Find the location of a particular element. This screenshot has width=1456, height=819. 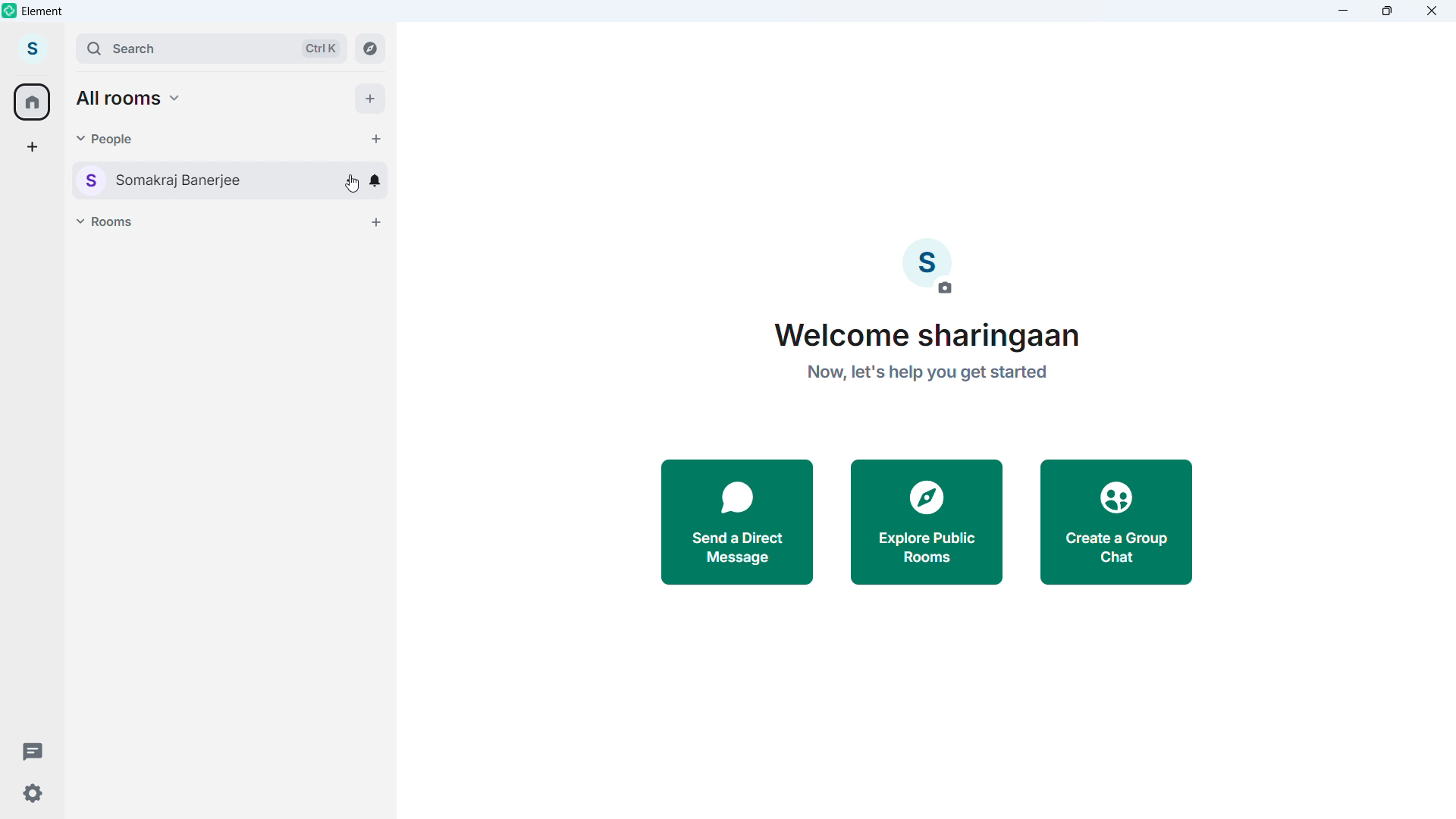

Add rooms  is located at coordinates (377, 222).